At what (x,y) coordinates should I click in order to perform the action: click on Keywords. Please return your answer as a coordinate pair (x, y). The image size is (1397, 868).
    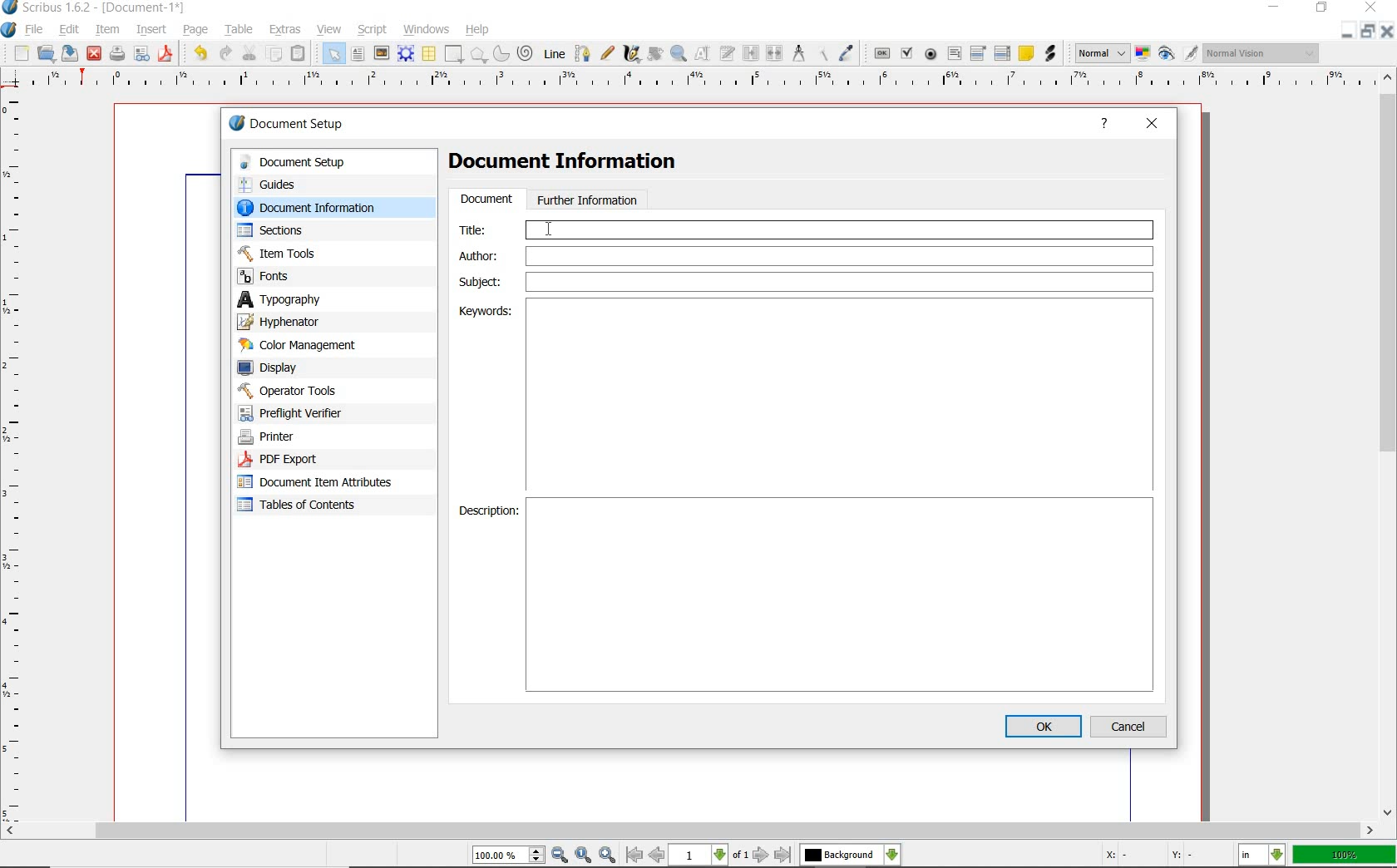
    Looking at the image, I should click on (484, 313).